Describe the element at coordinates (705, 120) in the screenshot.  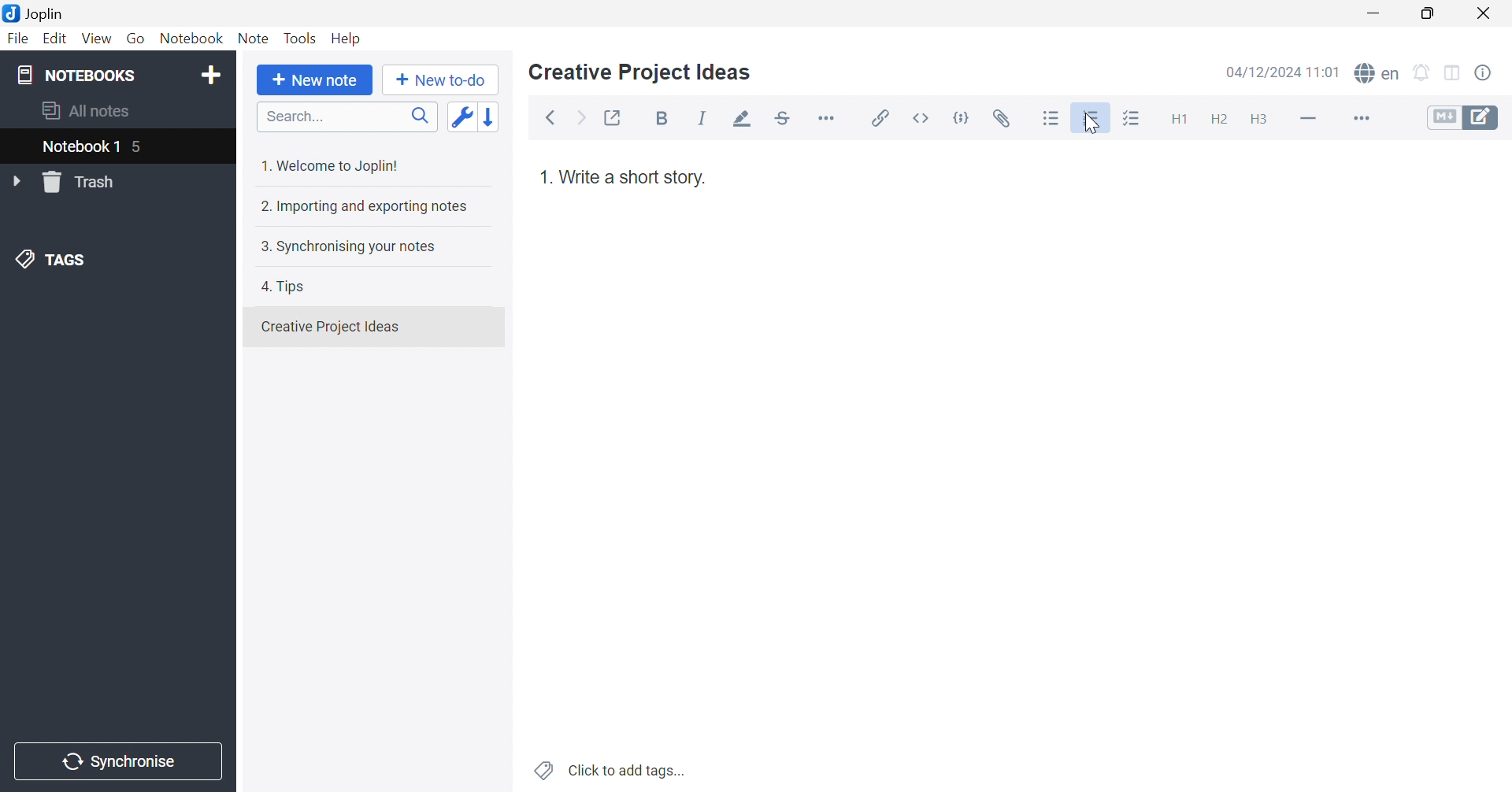
I see `Italic` at that location.